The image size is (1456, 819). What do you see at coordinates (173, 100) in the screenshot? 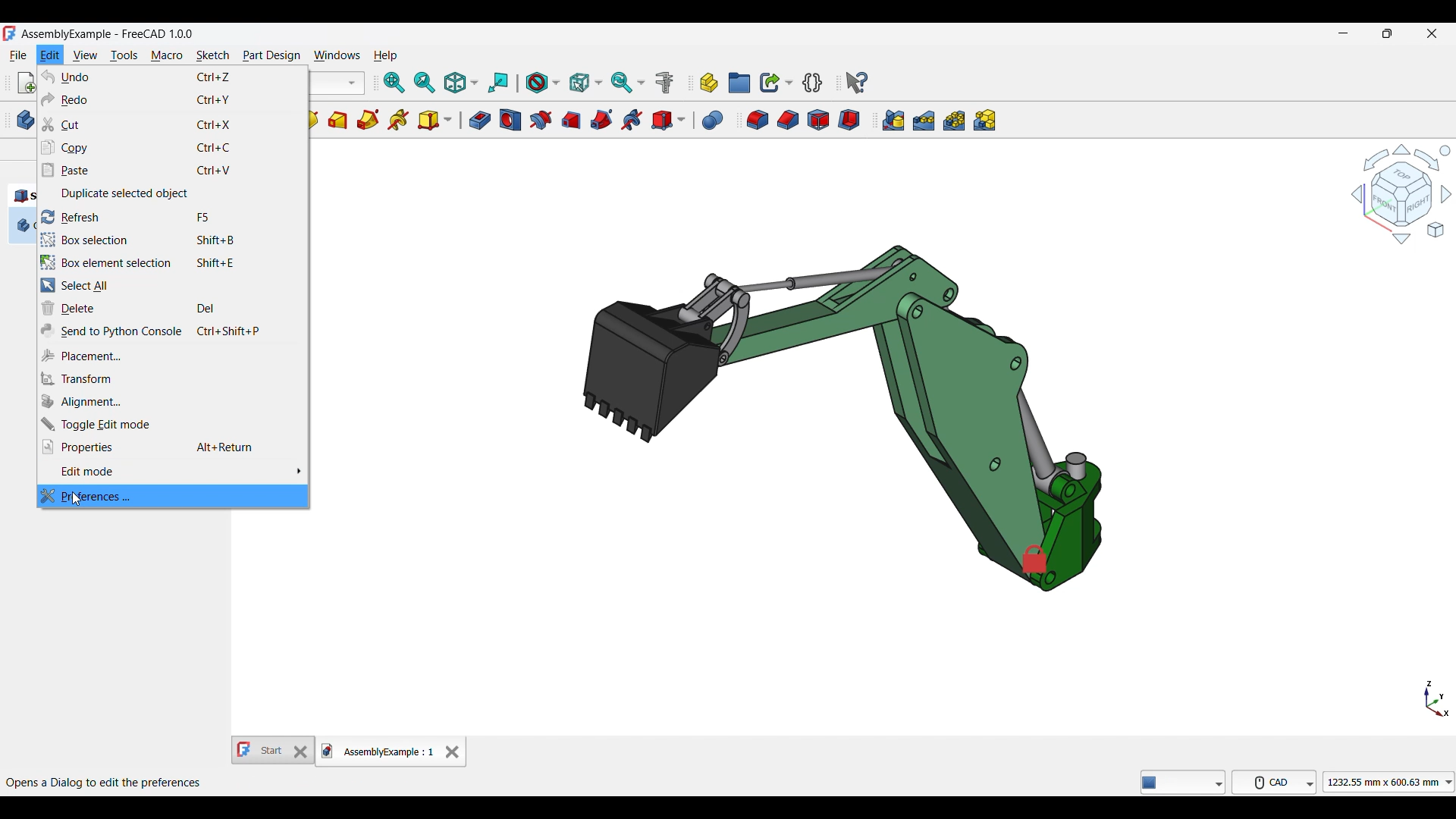
I see `Redo` at bounding box center [173, 100].